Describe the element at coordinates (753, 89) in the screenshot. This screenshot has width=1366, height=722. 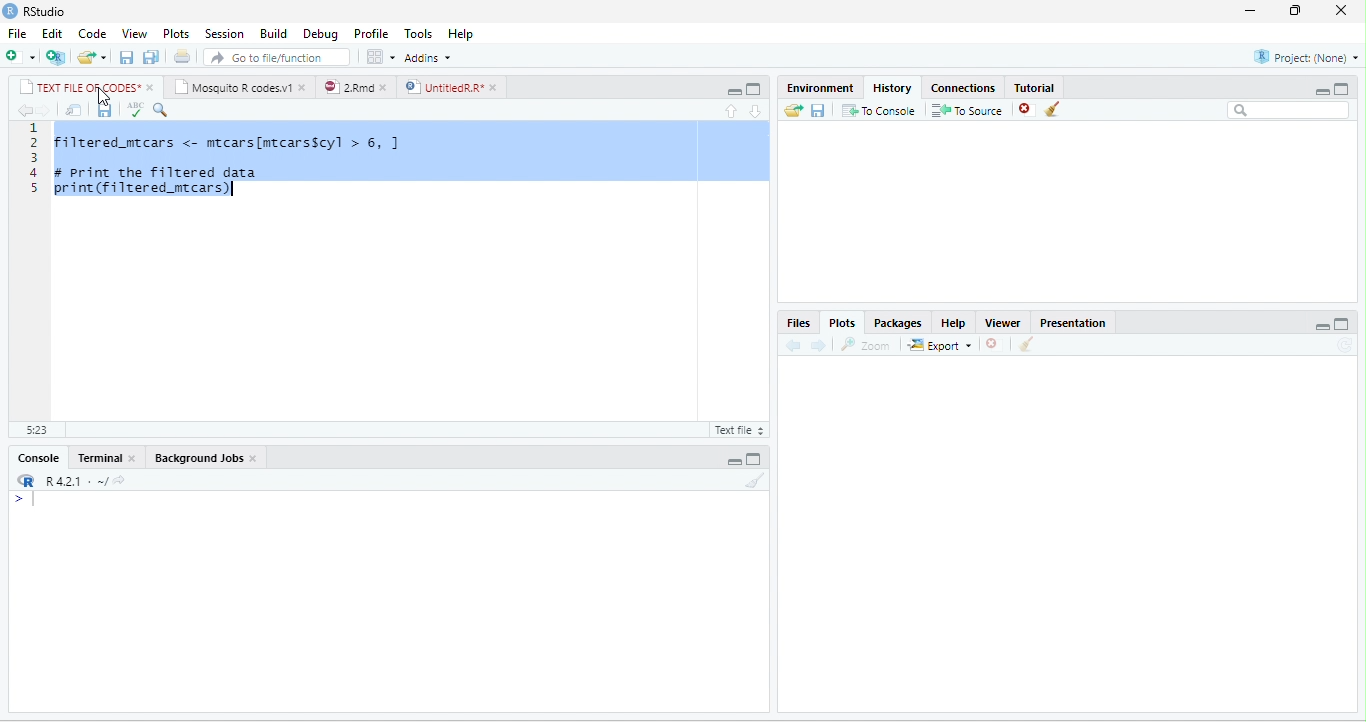
I see `maximize` at that location.